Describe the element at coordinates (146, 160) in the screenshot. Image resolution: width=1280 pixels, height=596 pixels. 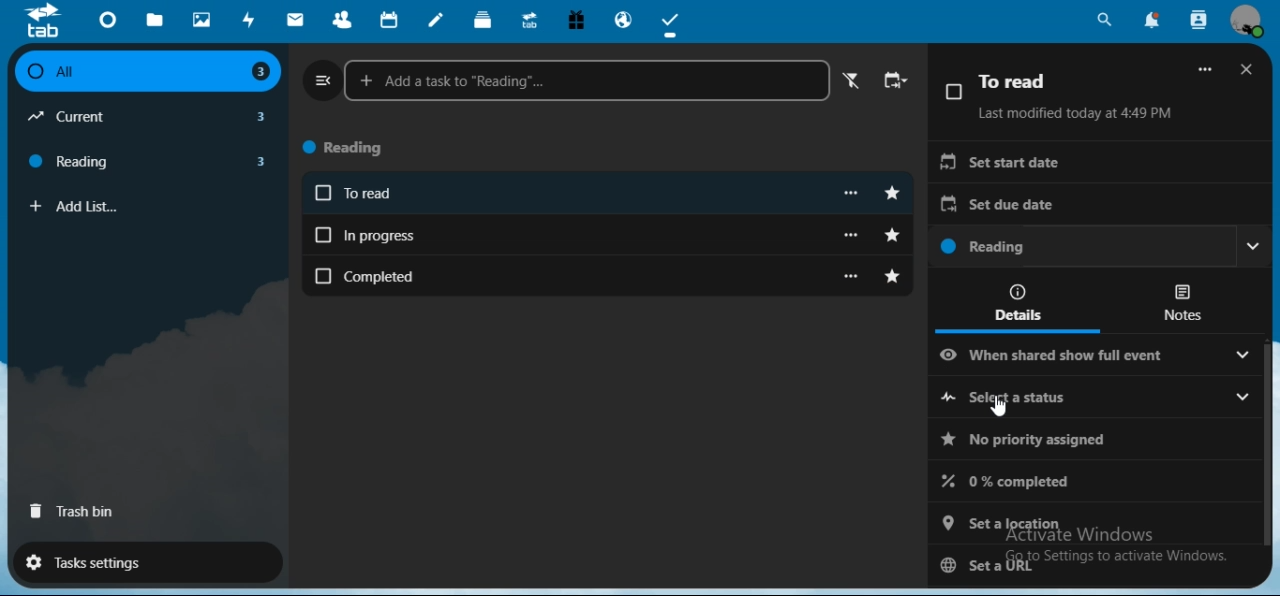
I see `reading` at that location.